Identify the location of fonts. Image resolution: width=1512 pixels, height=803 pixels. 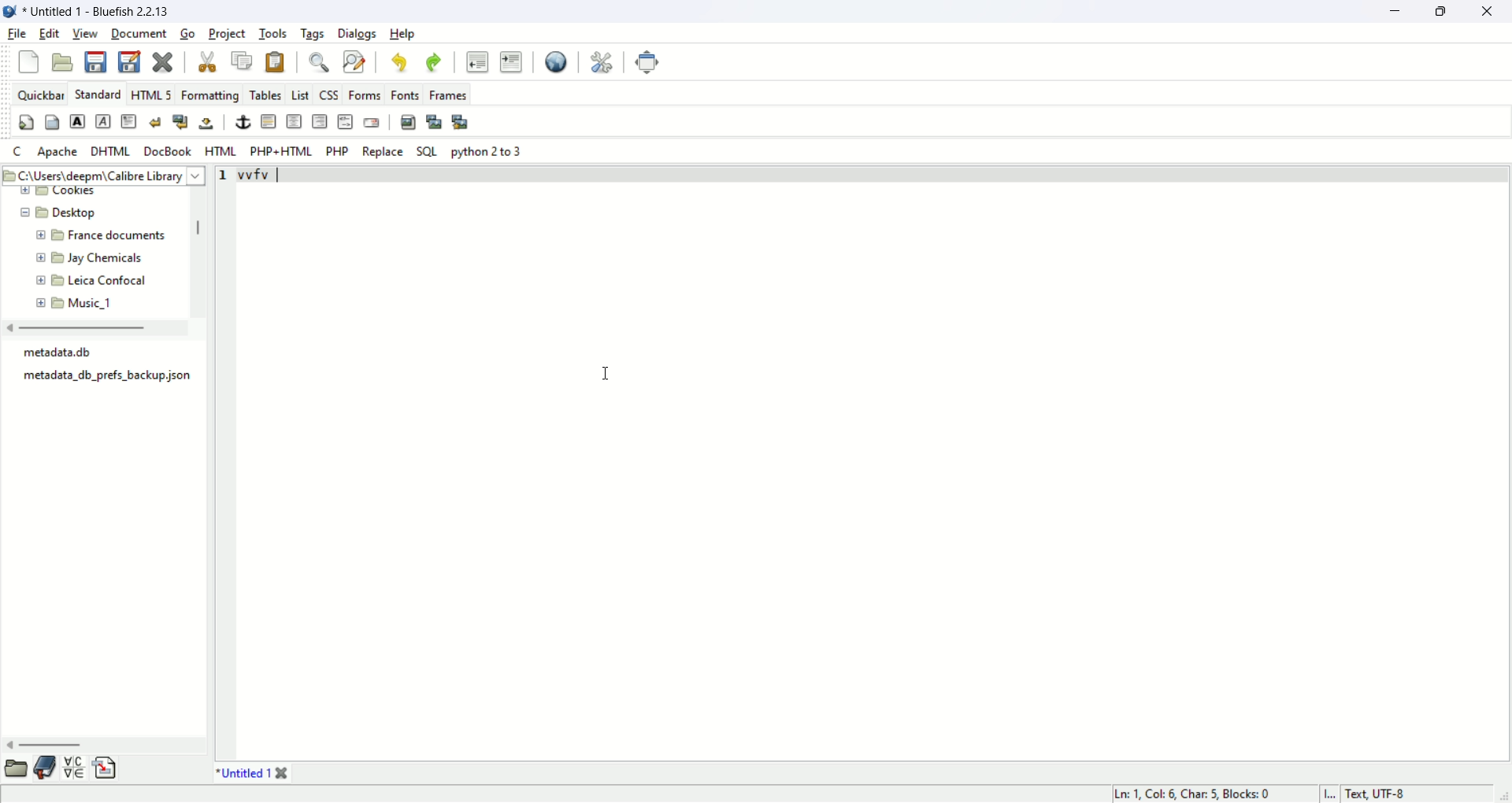
(406, 96).